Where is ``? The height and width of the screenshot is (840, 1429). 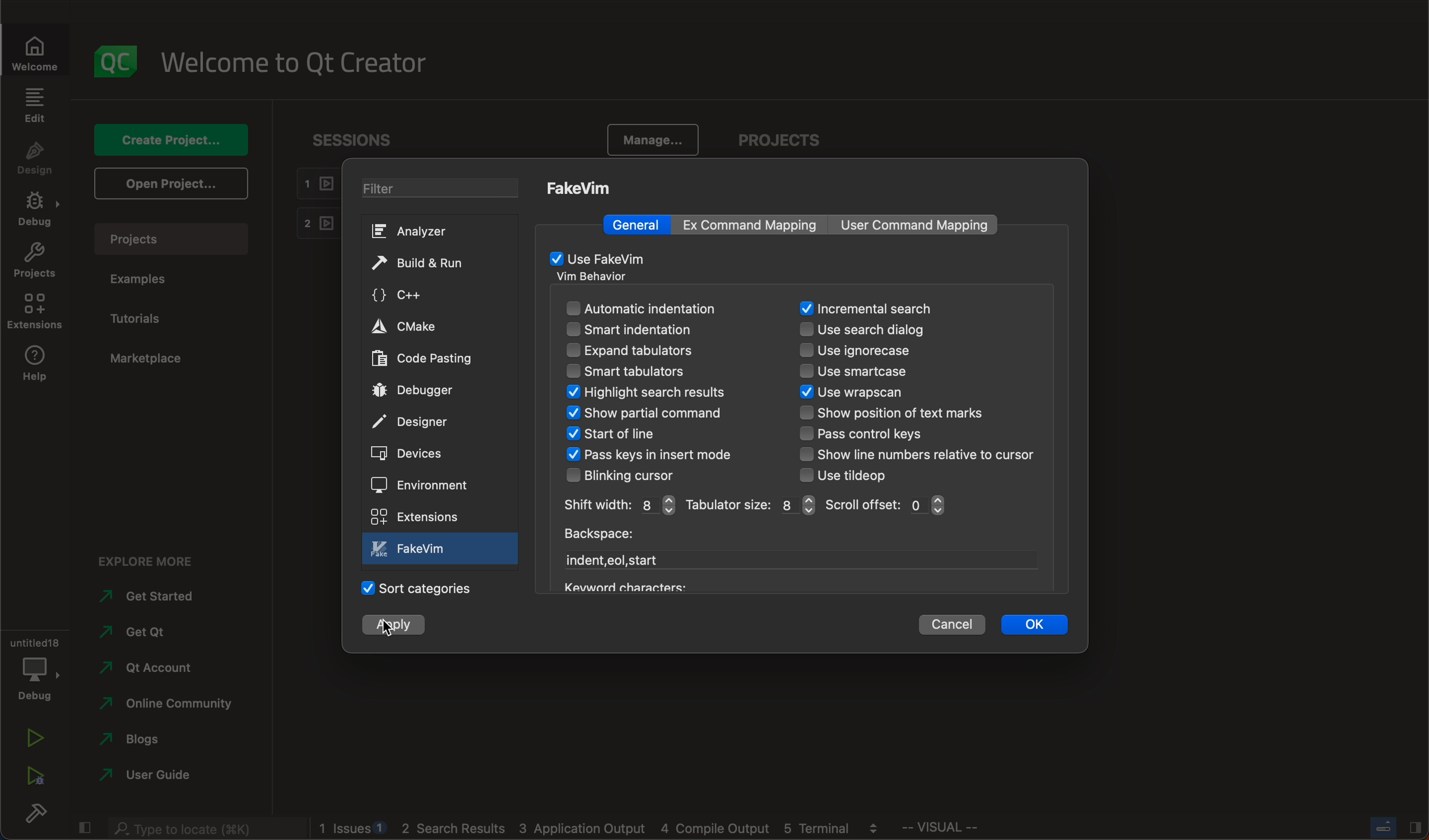  is located at coordinates (877, 827).